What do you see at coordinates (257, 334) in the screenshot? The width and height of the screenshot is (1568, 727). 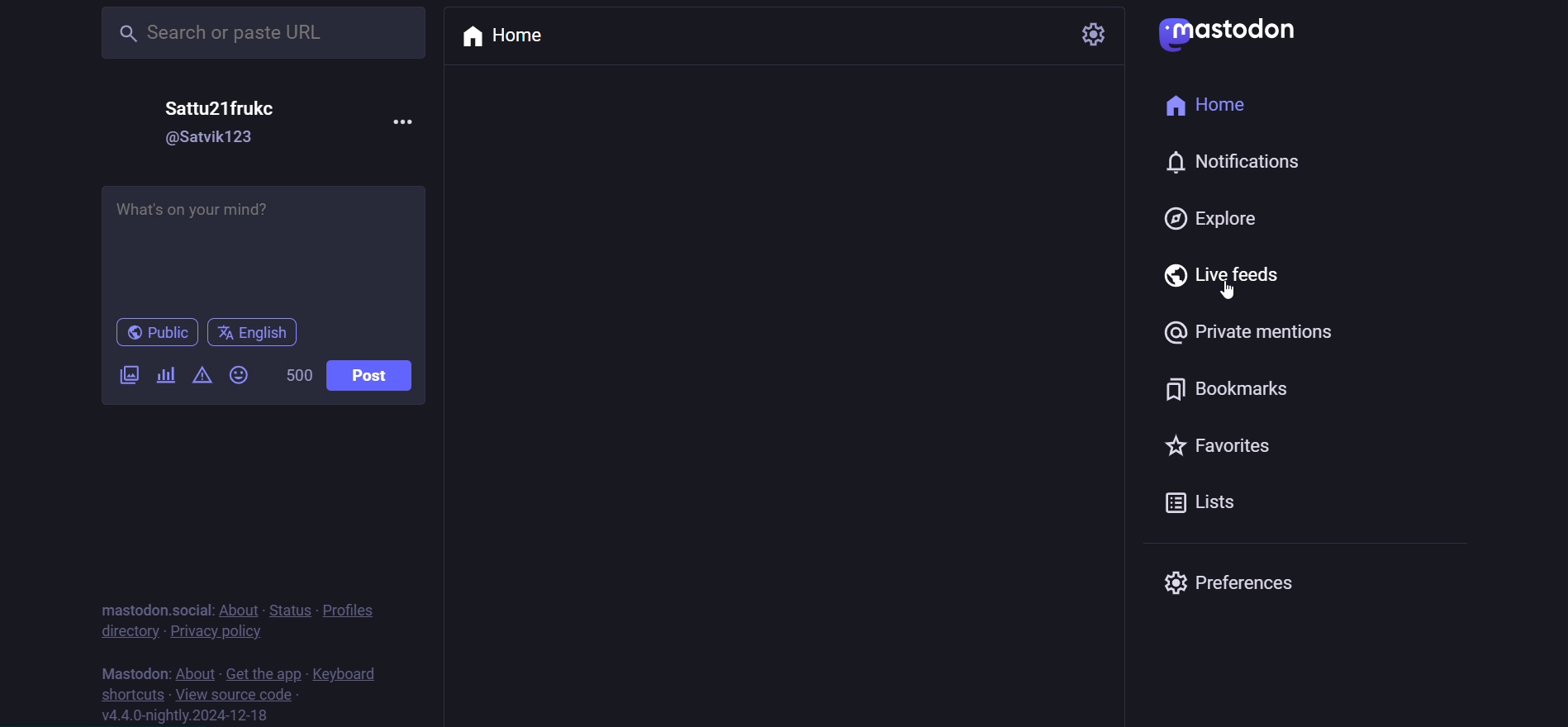 I see `english` at bounding box center [257, 334].